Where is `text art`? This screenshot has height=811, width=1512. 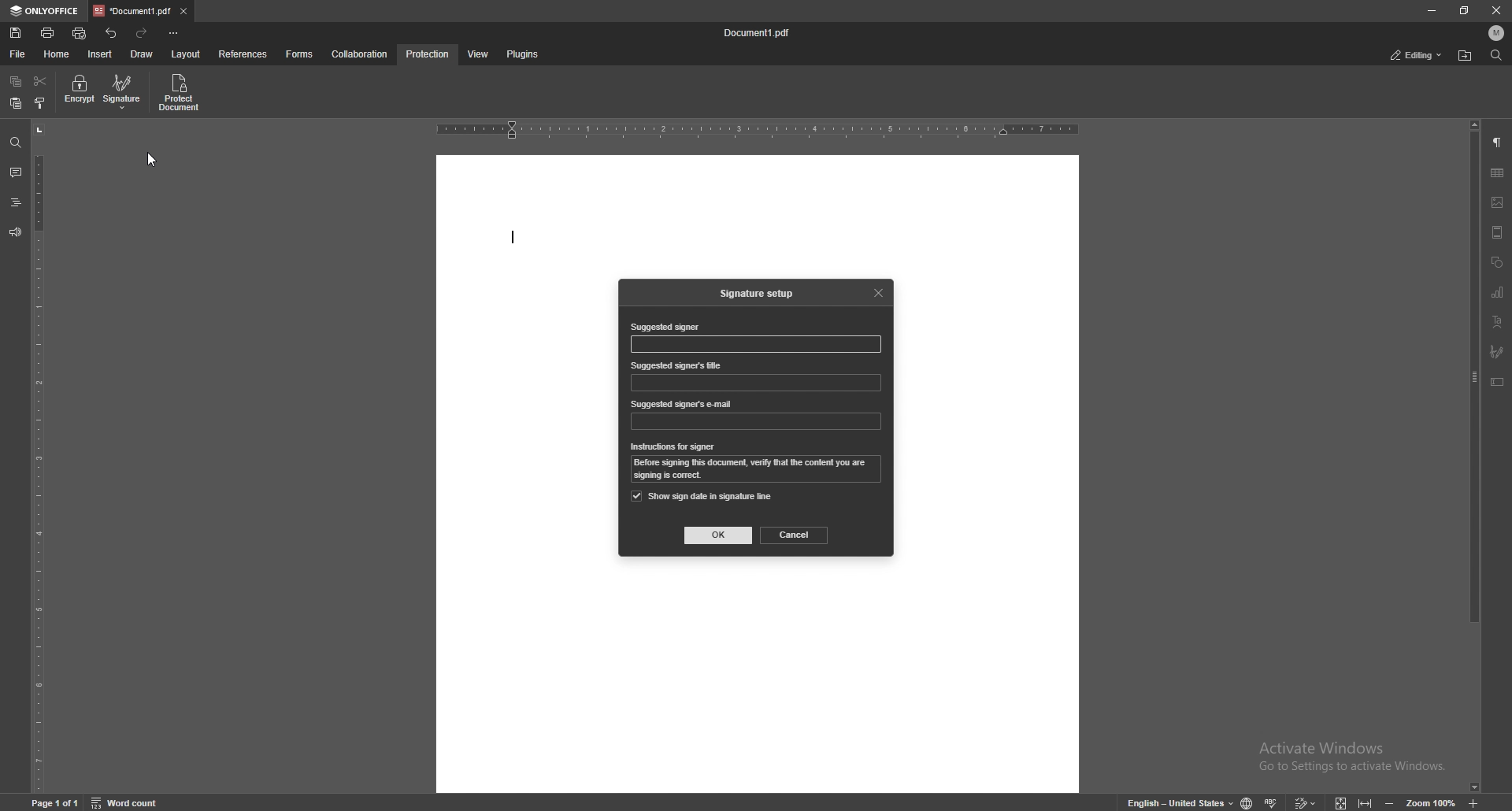
text art is located at coordinates (1497, 323).